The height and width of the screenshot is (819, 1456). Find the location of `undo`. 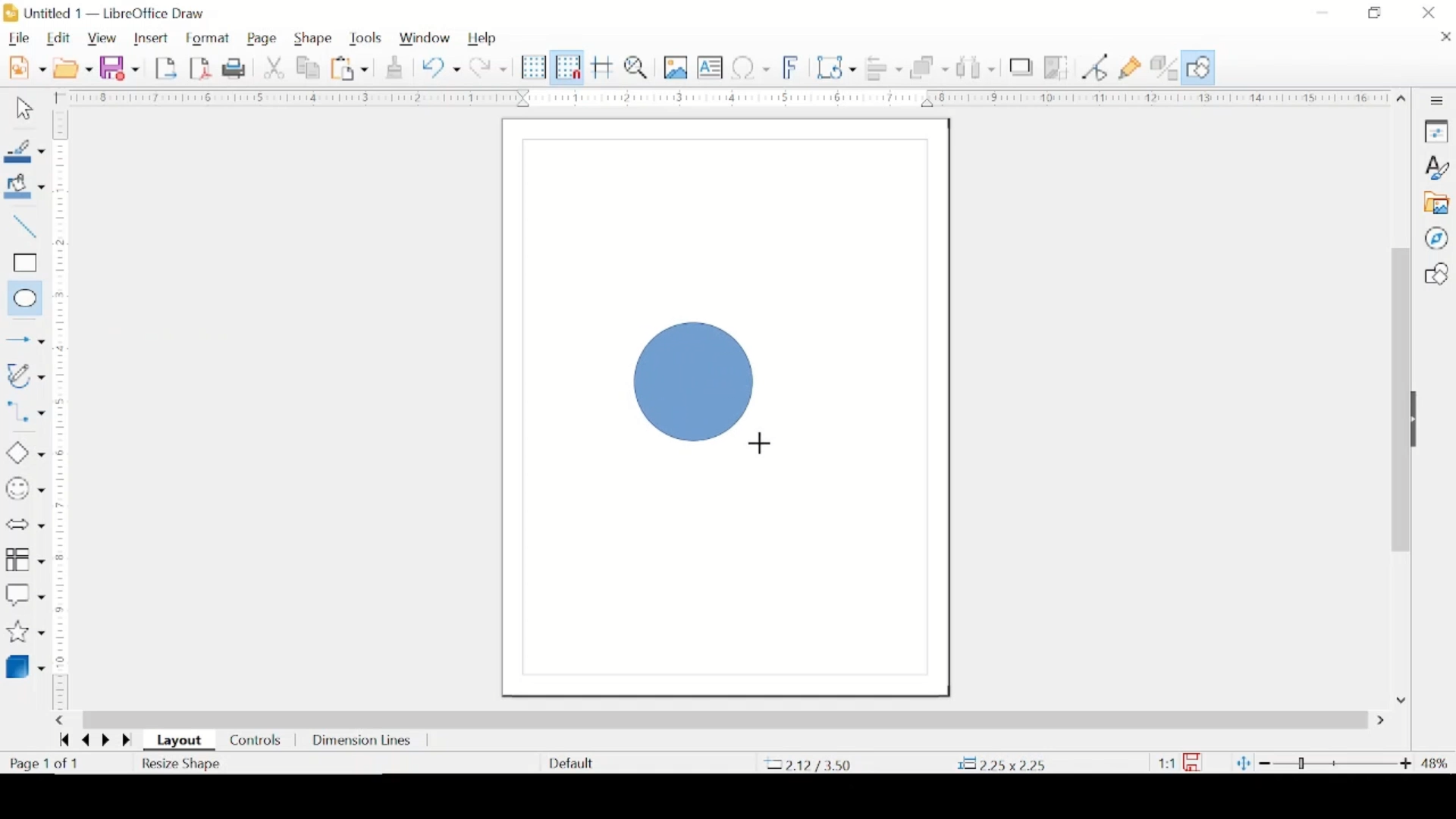

undo is located at coordinates (441, 67).